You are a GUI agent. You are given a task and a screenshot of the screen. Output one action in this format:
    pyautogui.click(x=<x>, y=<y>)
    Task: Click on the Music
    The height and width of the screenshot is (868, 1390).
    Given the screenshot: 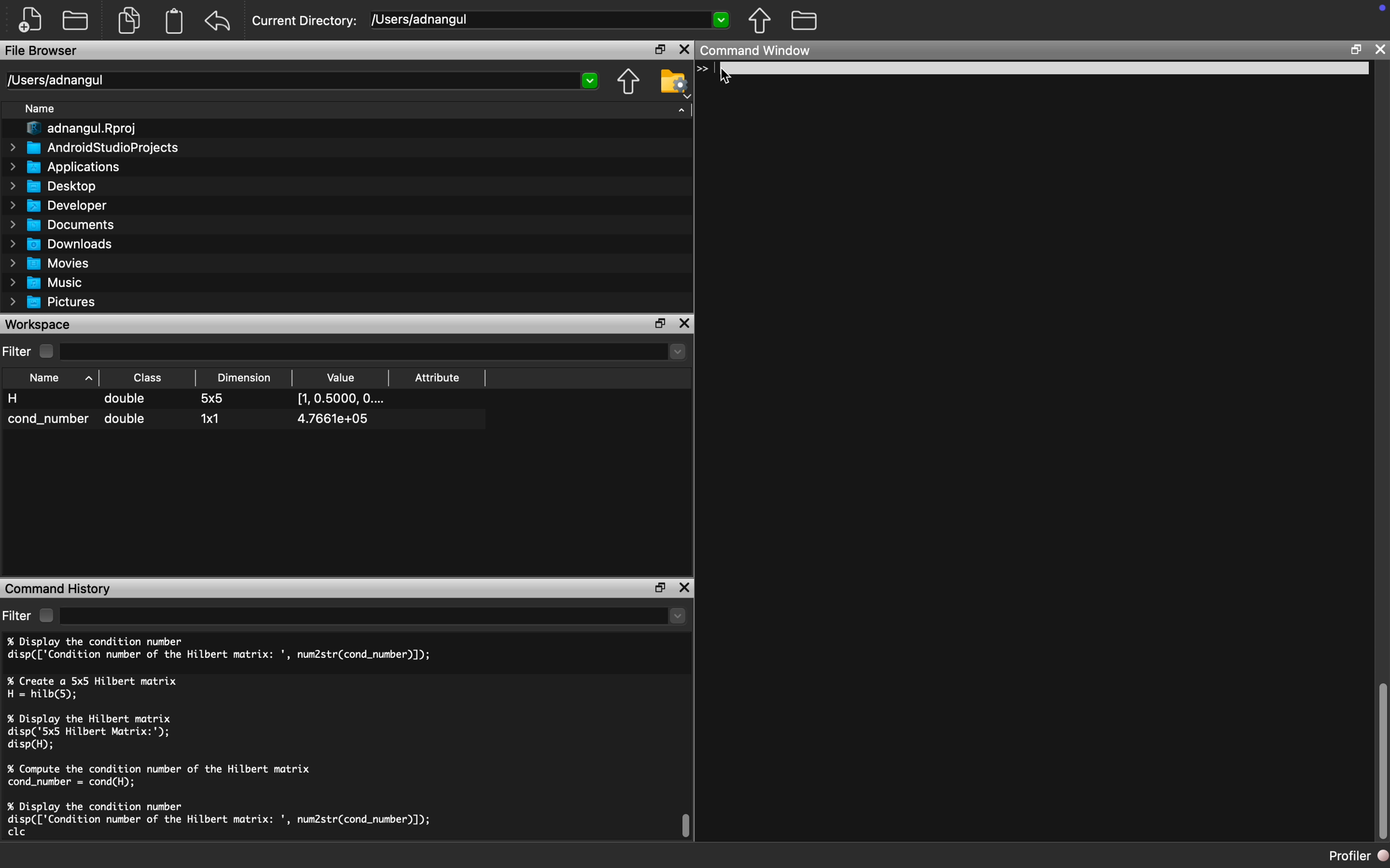 What is the action you would take?
    pyautogui.click(x=44, y=282)
    